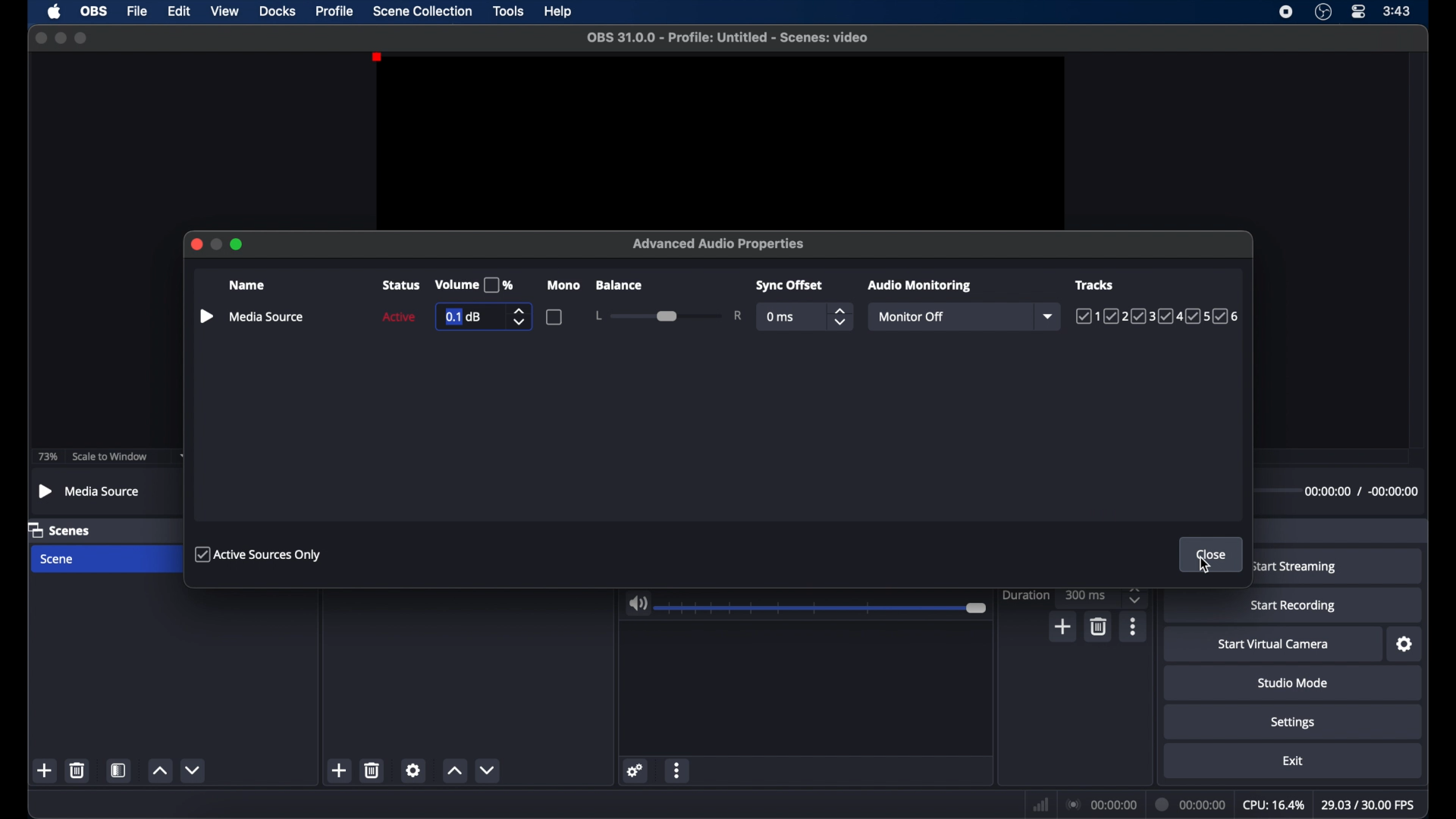 Image resolution: width=1456 pixels, height=819 pixels. Describe the element at coordinates (619, 285) in the screenshot. I see `balance` at that location.